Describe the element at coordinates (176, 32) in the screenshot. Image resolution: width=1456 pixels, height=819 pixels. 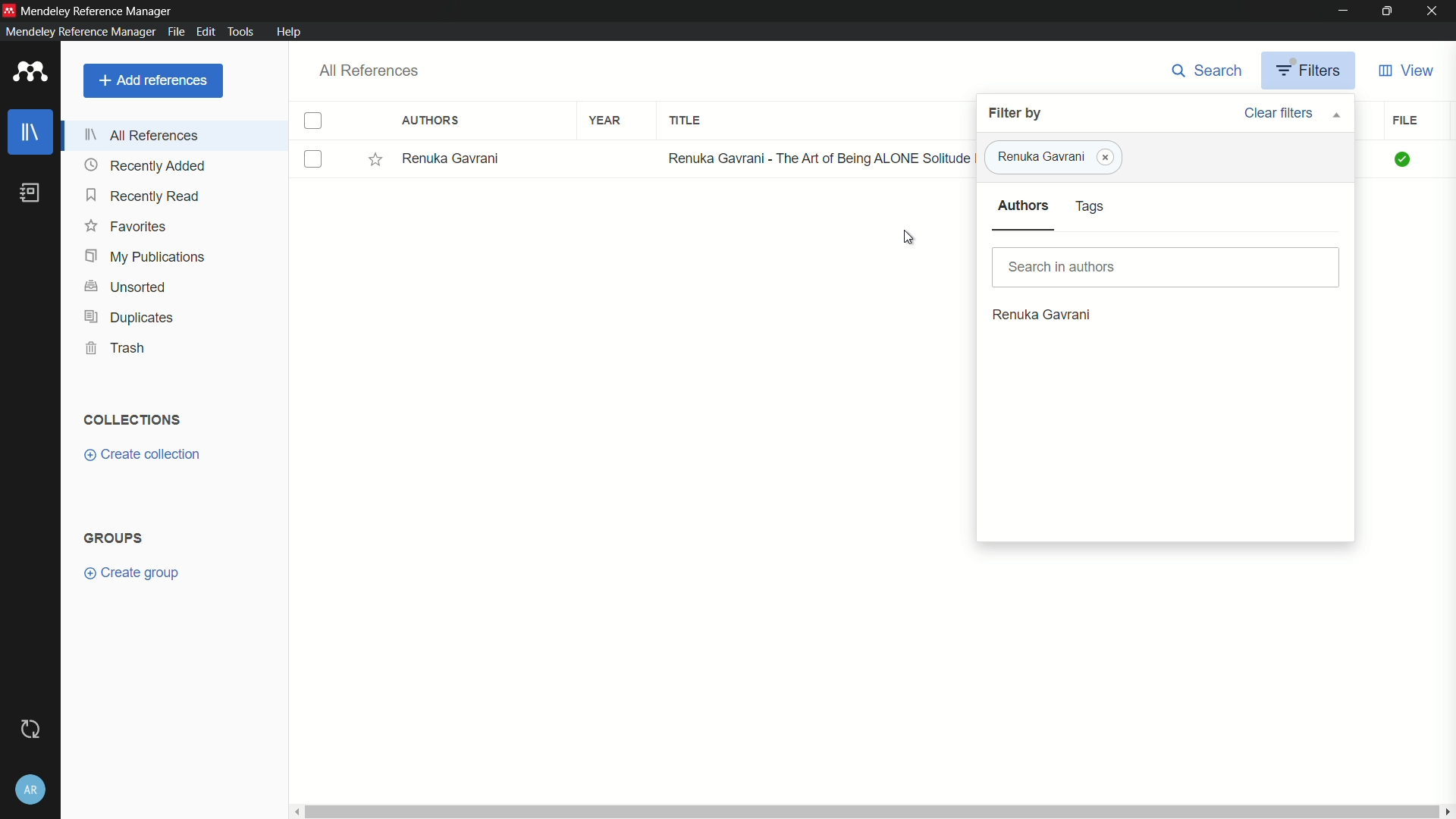
I see `file menu` at that location.